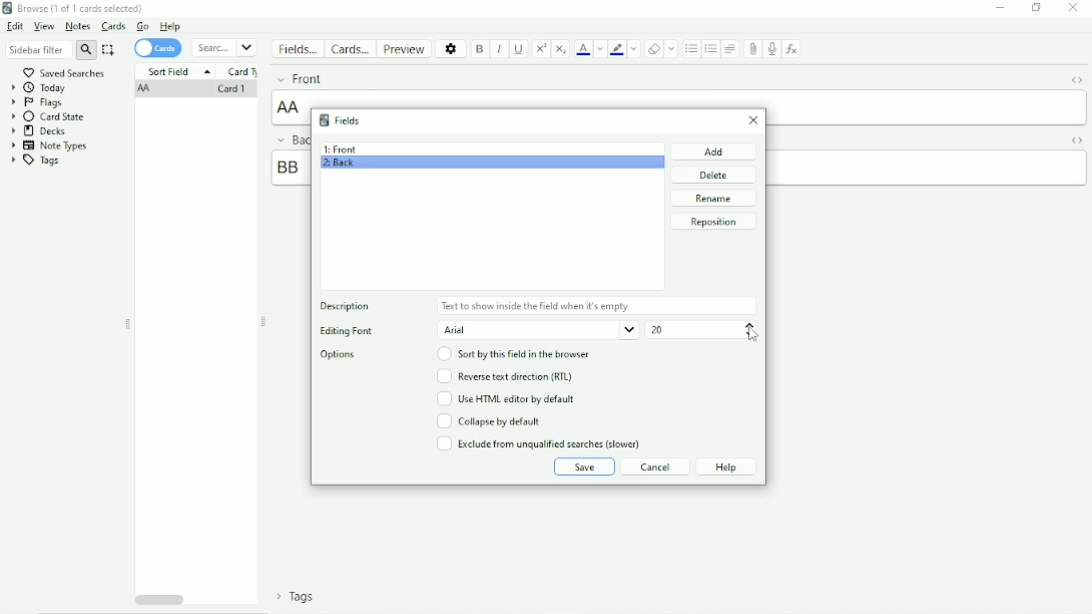  I want to click on Decks, so click(39, 131).